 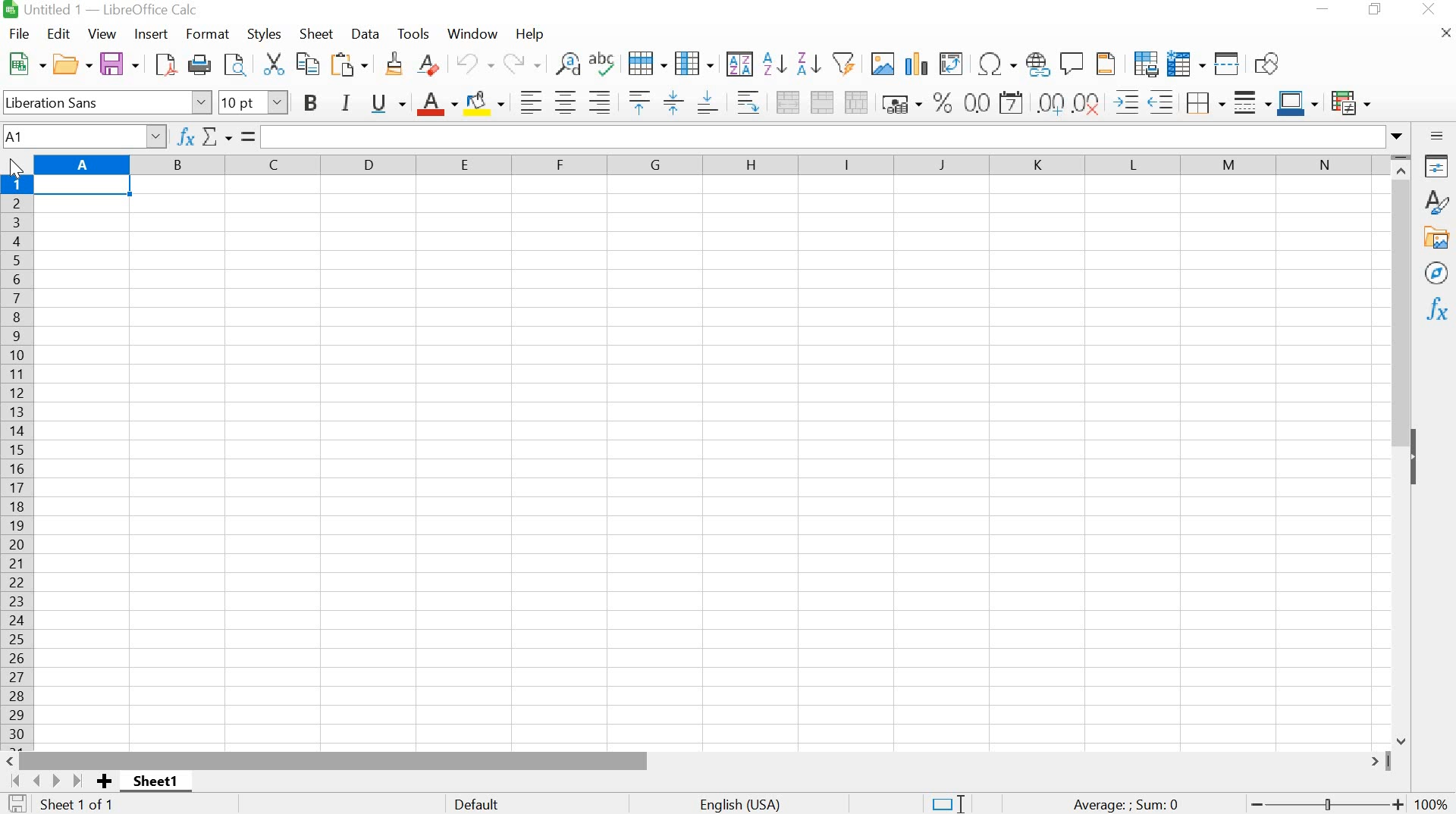 I want to click on Increase Indent, so click(x=1125, y=99).